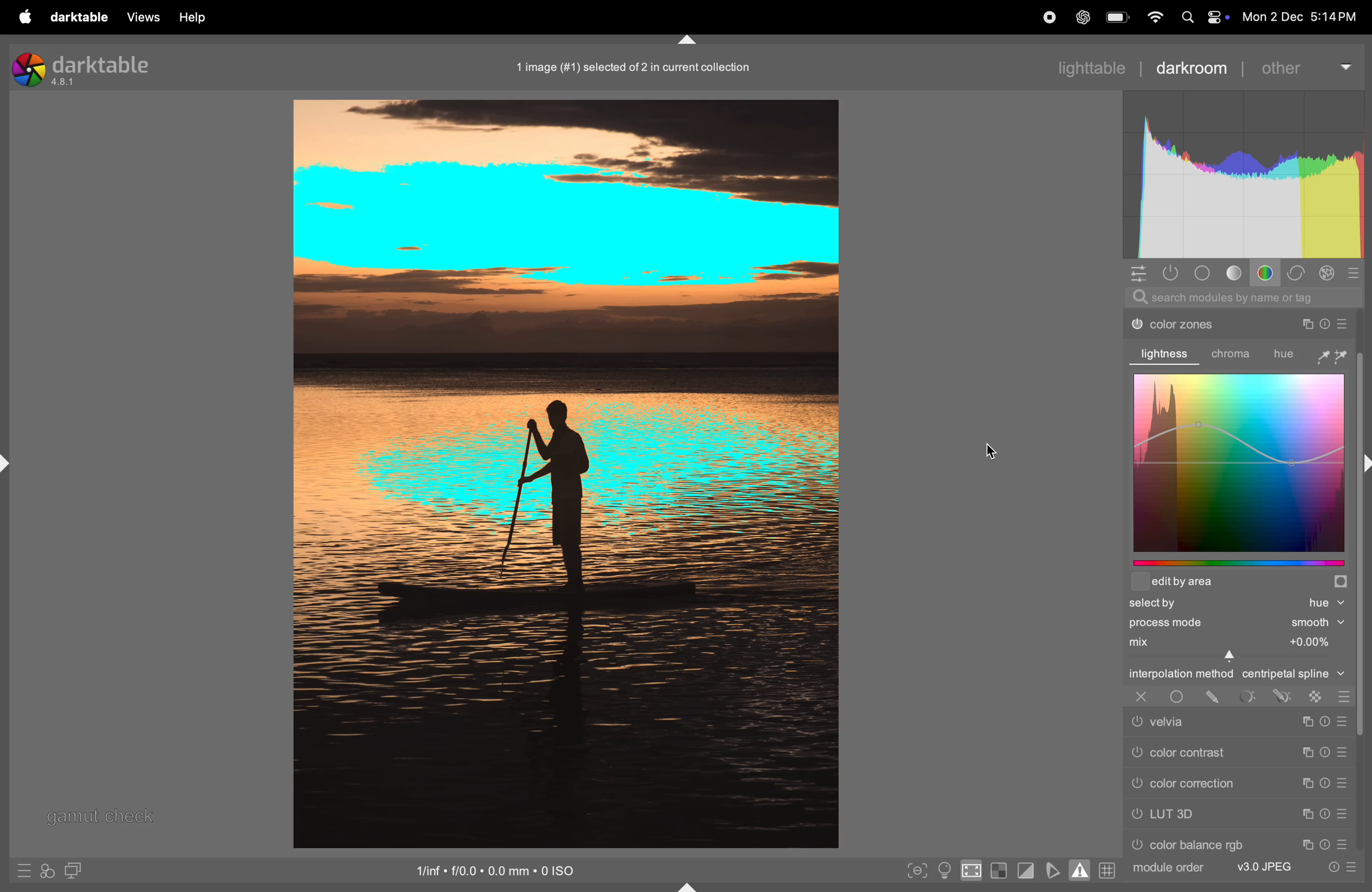 The image size is (1372, 892). Describe the element at coordinates (1055, 870) in the screenshot. I see `toggle soft proffing` at that location.